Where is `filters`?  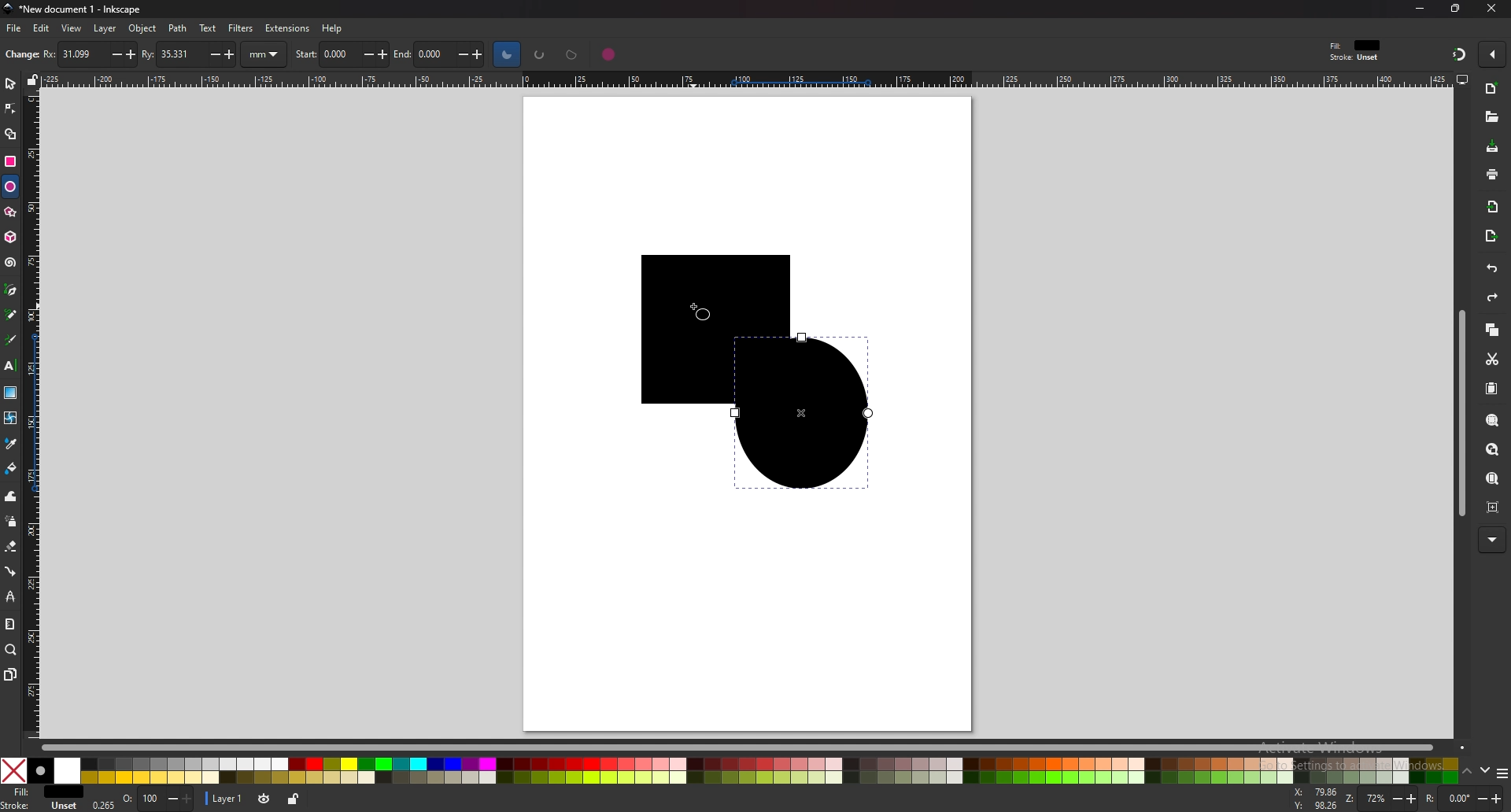
filters is located at coordinates (241, 28).